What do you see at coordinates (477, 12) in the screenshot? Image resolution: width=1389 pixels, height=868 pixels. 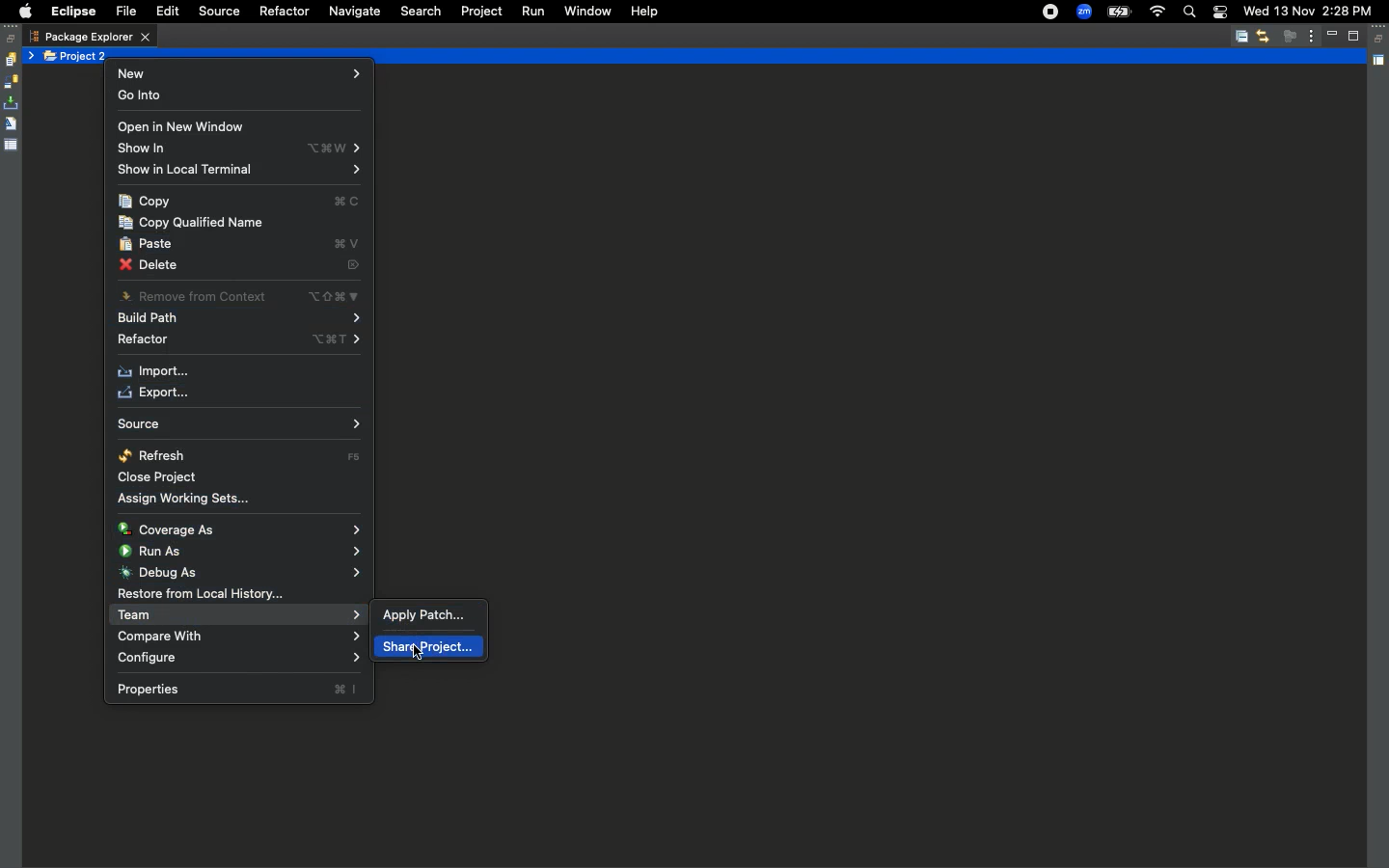 I see `Project` at bounding box center [477, 12].